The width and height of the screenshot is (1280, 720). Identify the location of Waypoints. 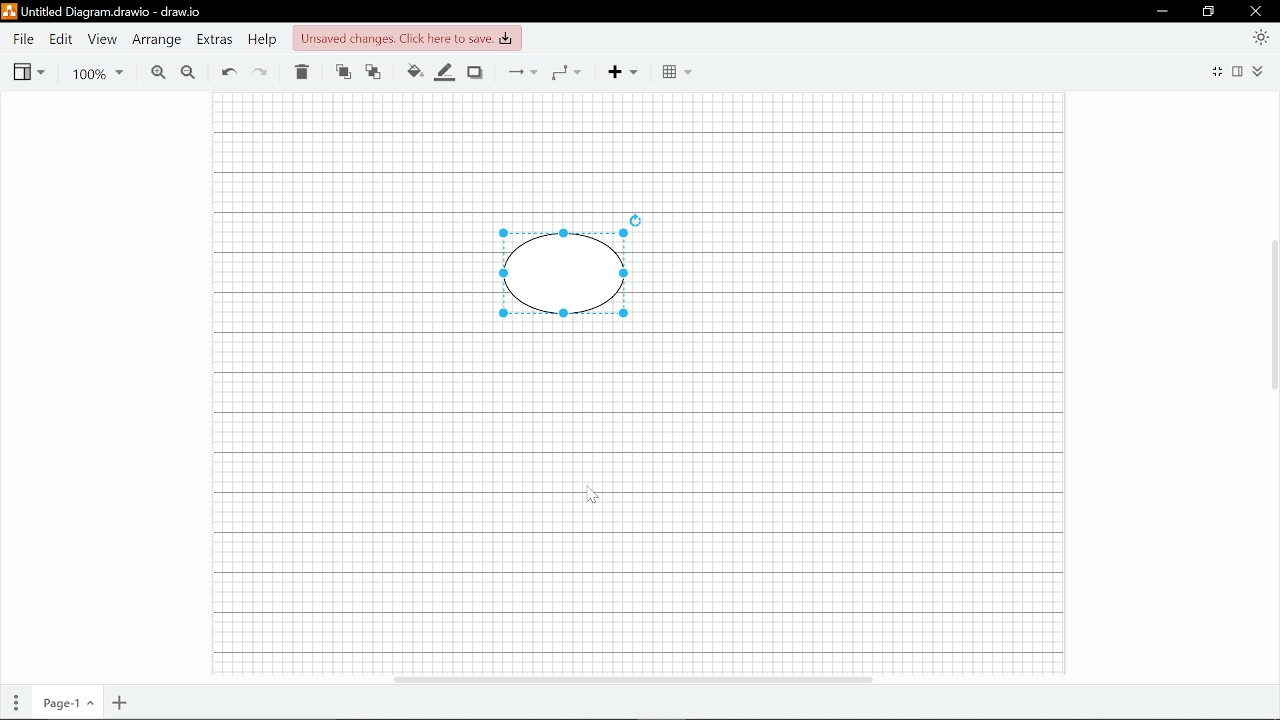
(566, 72).